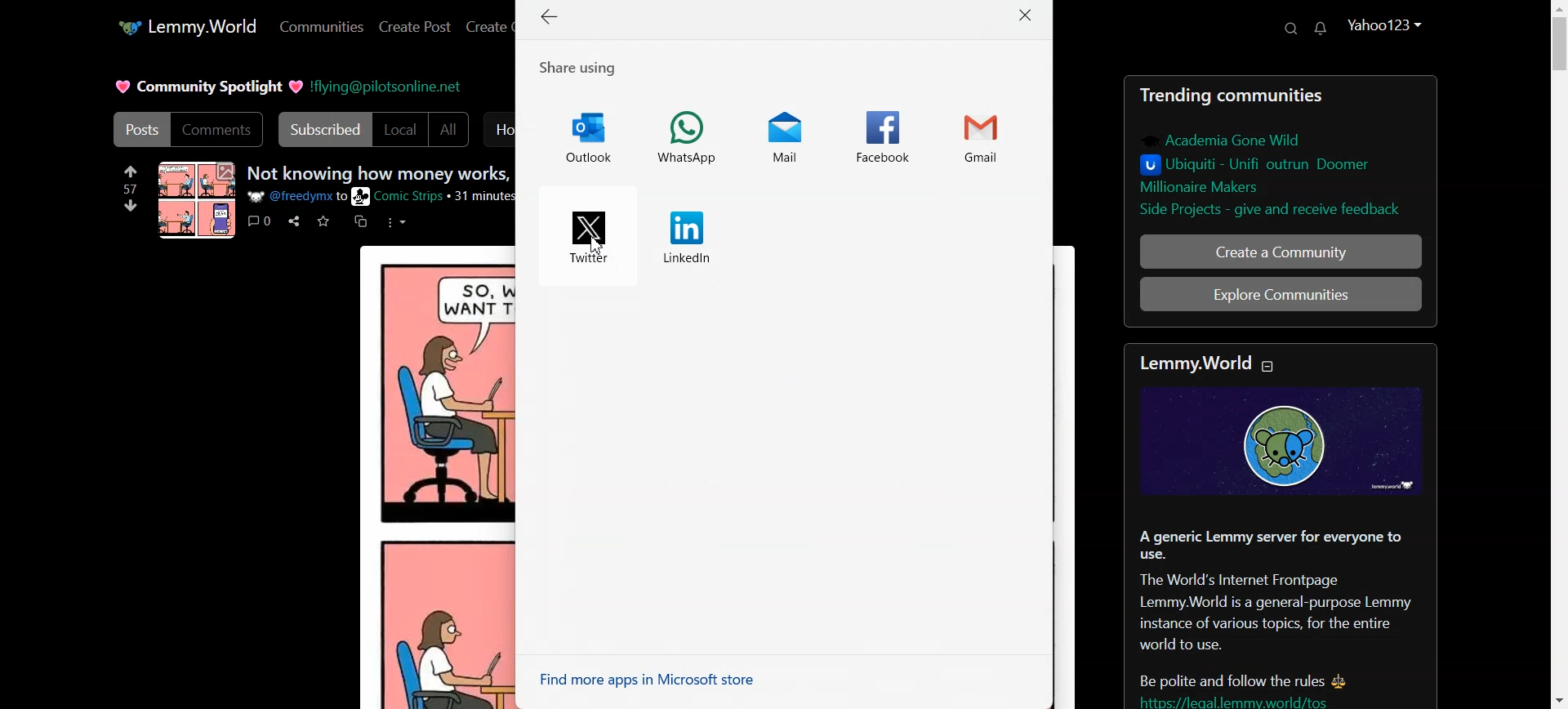 The height and width of the screenshot is (709, 1568). Describe the element at coordinates (882, 136) in the screenshot. I see `facebook` at that location.